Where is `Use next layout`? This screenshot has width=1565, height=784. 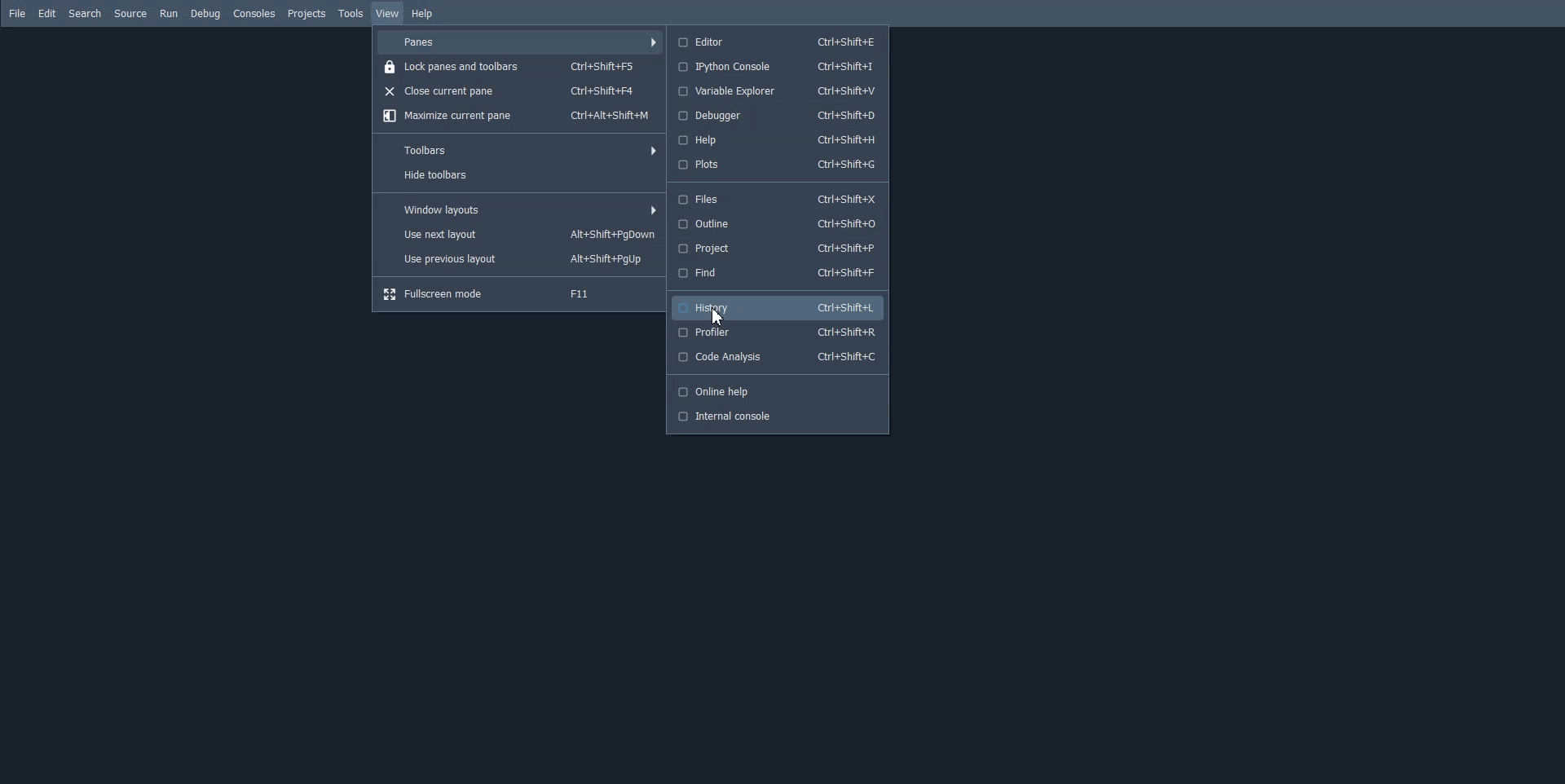
Use next layout is located at coordinates (519, 235).